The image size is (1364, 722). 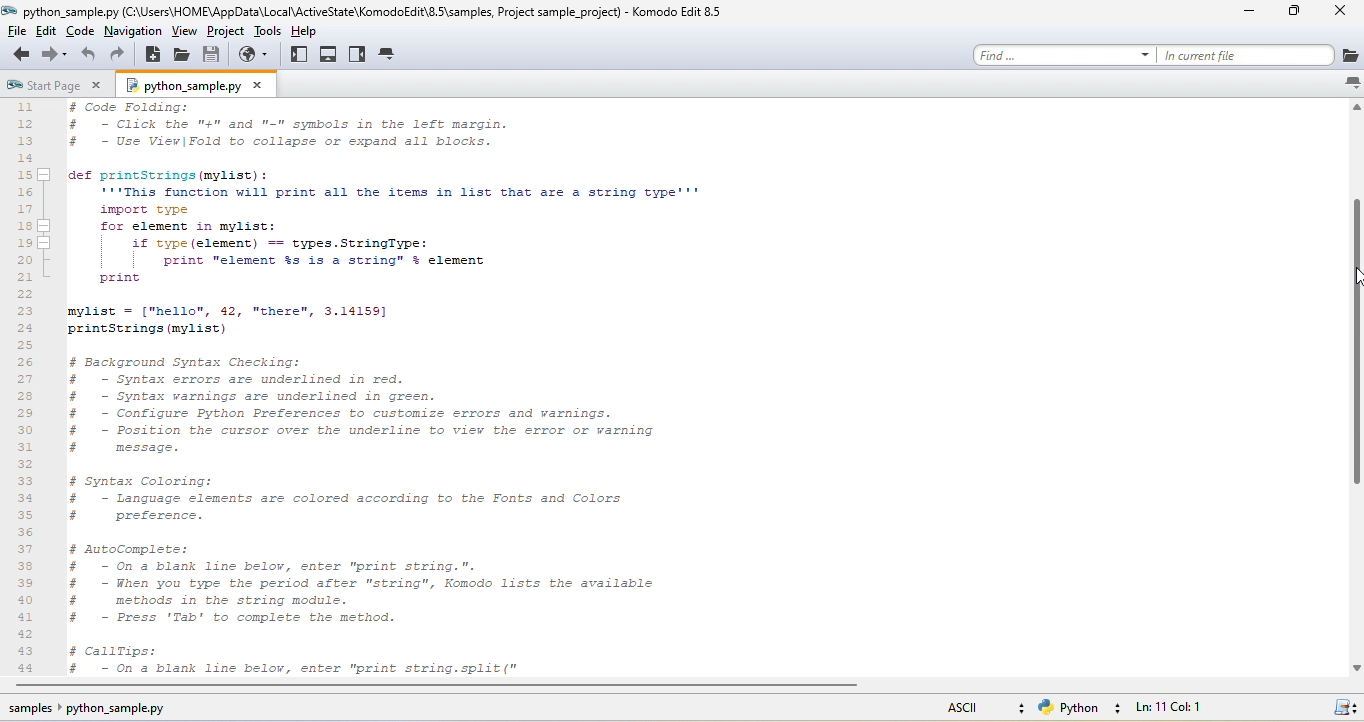 I want to click on navigation, so click(x=135, y=32).